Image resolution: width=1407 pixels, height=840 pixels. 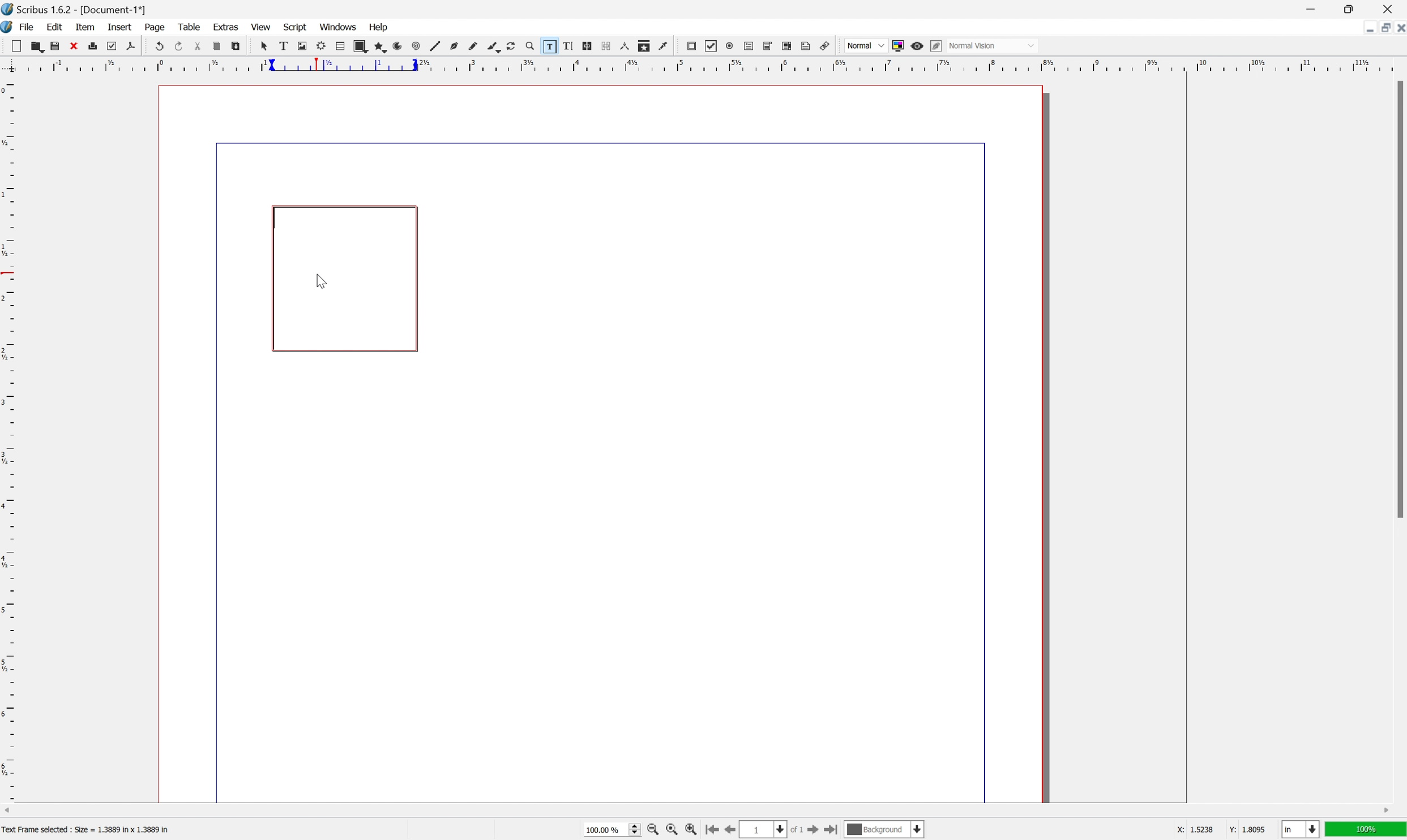 What do you see at coordinates (696, 811) in the screenshot?
I see `scroll bar` at bounding box center [696, 811].